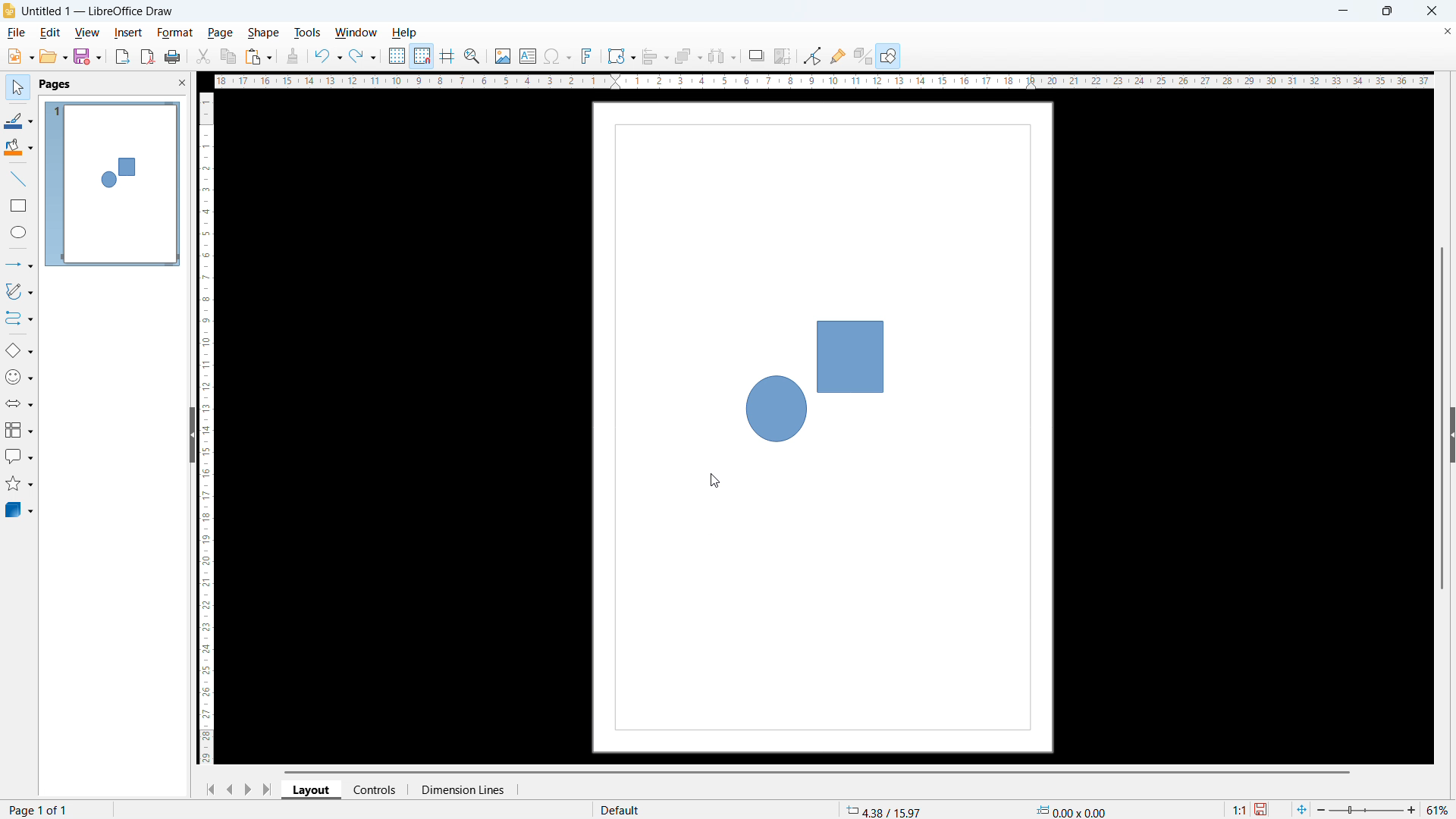 This screenshot has height=819, width=1456. What do you see at coordinates (88, 57) in the screenshot?
I see `save` at bounding box center [88, 57].